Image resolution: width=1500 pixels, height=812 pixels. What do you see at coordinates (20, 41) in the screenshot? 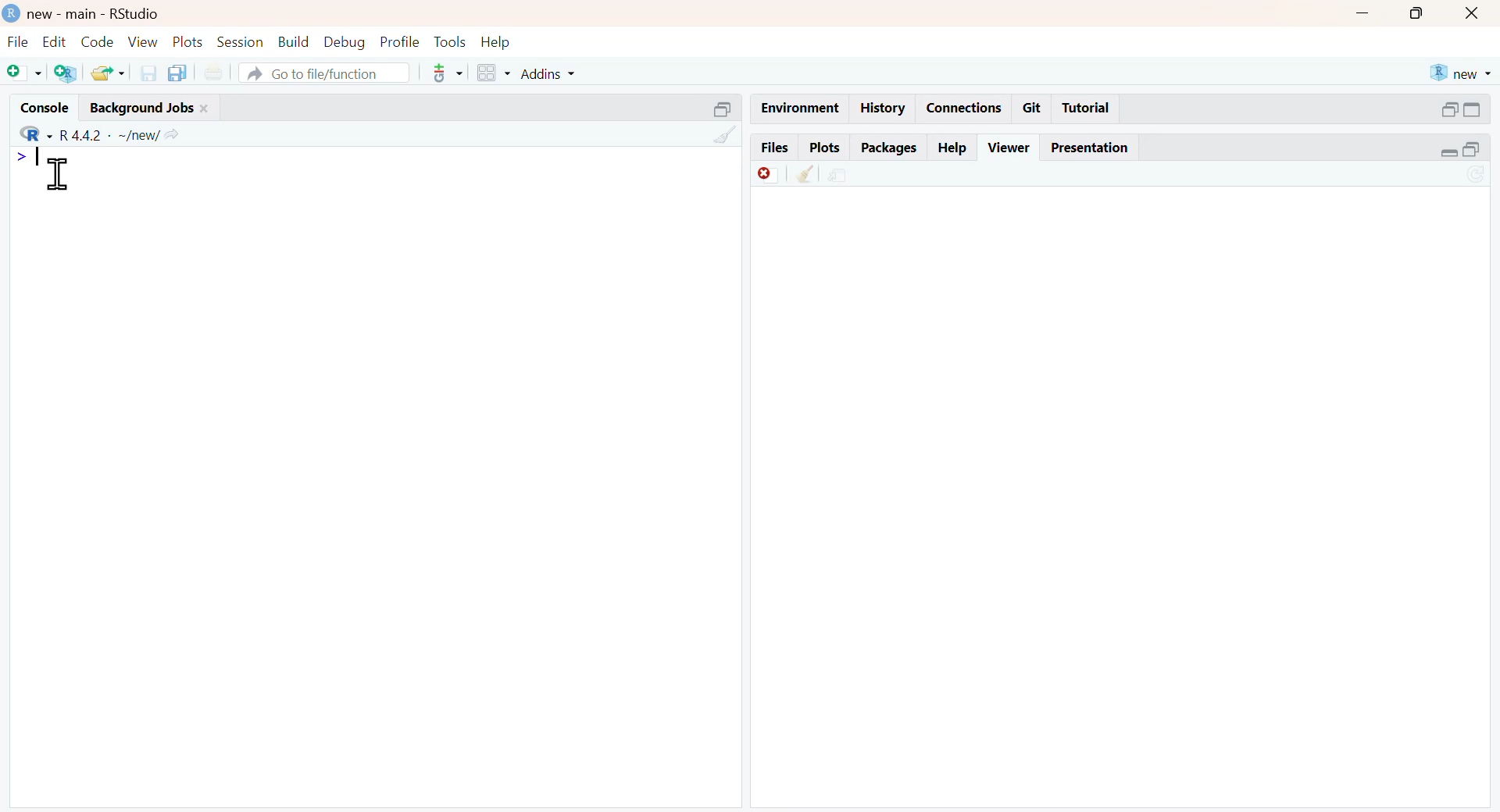
I see `file` at bounding box center [20, 41].